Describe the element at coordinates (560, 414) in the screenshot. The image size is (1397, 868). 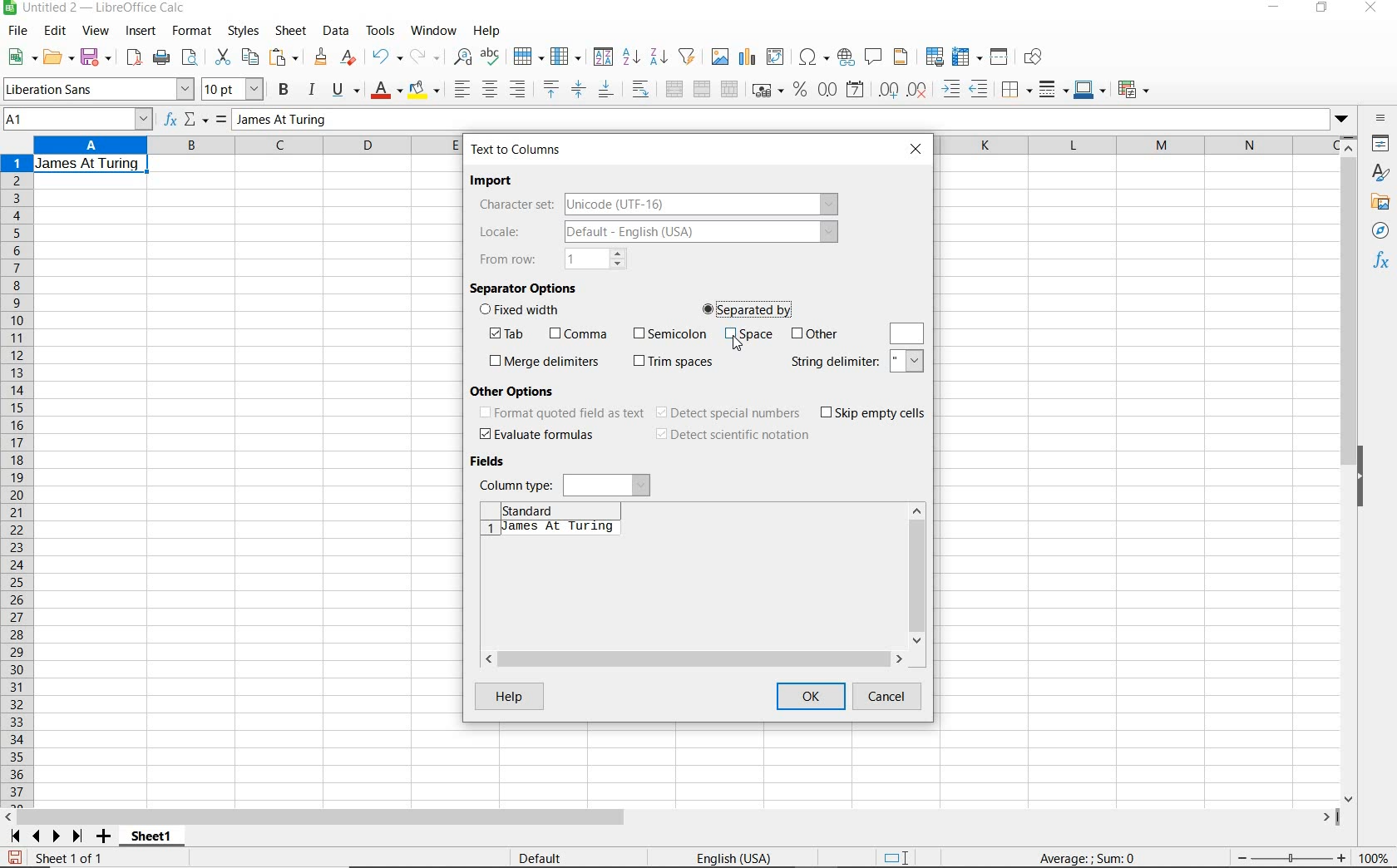
I see `format quoted field as text` at that location.